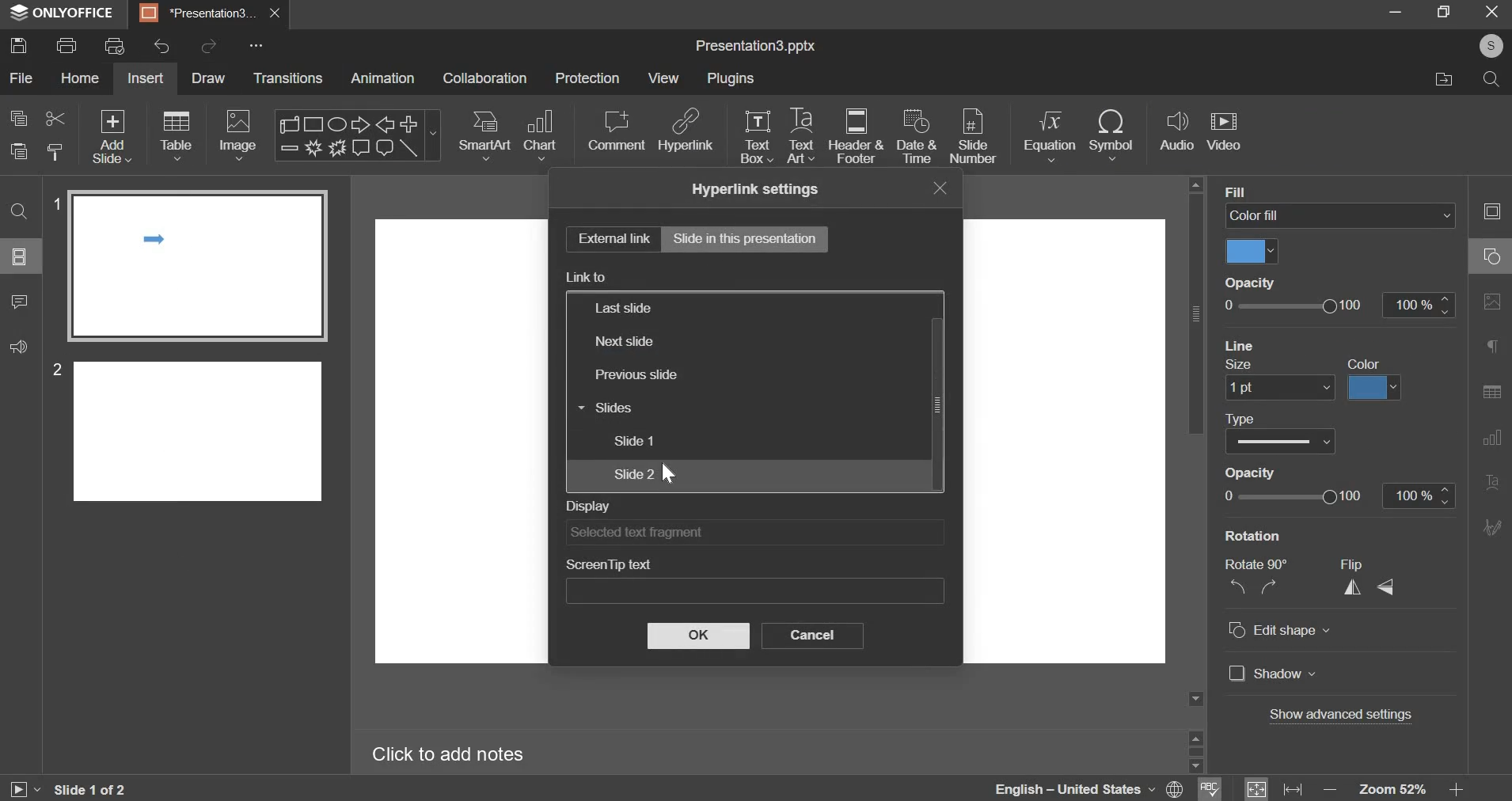 This screenshot has width=1512, height=801. Describe the element at coordinates (1273, 673) in the screenshot. I see `shadow` at that location.